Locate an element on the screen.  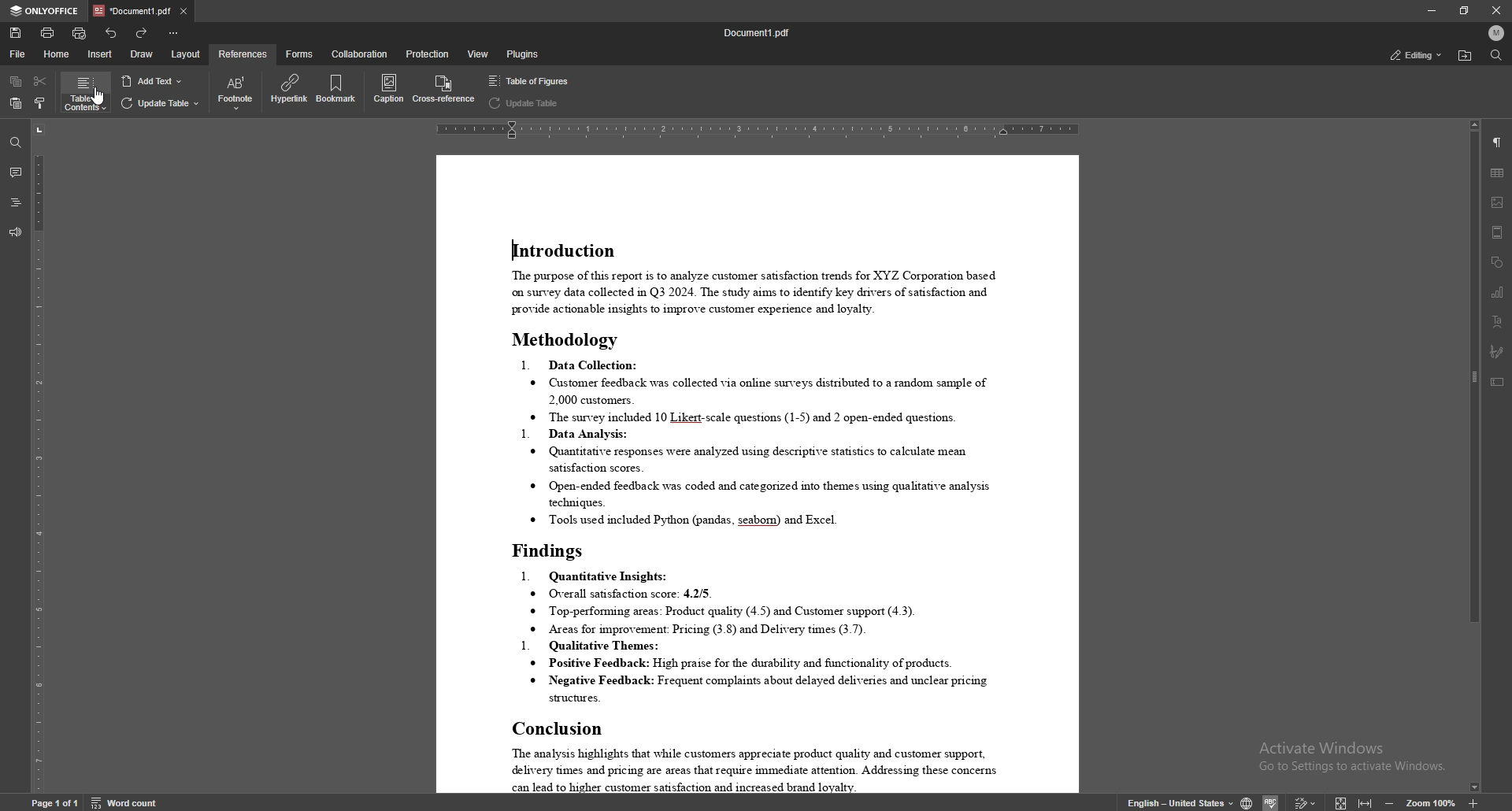
scroll bar is located at coordinates (1472, 458).